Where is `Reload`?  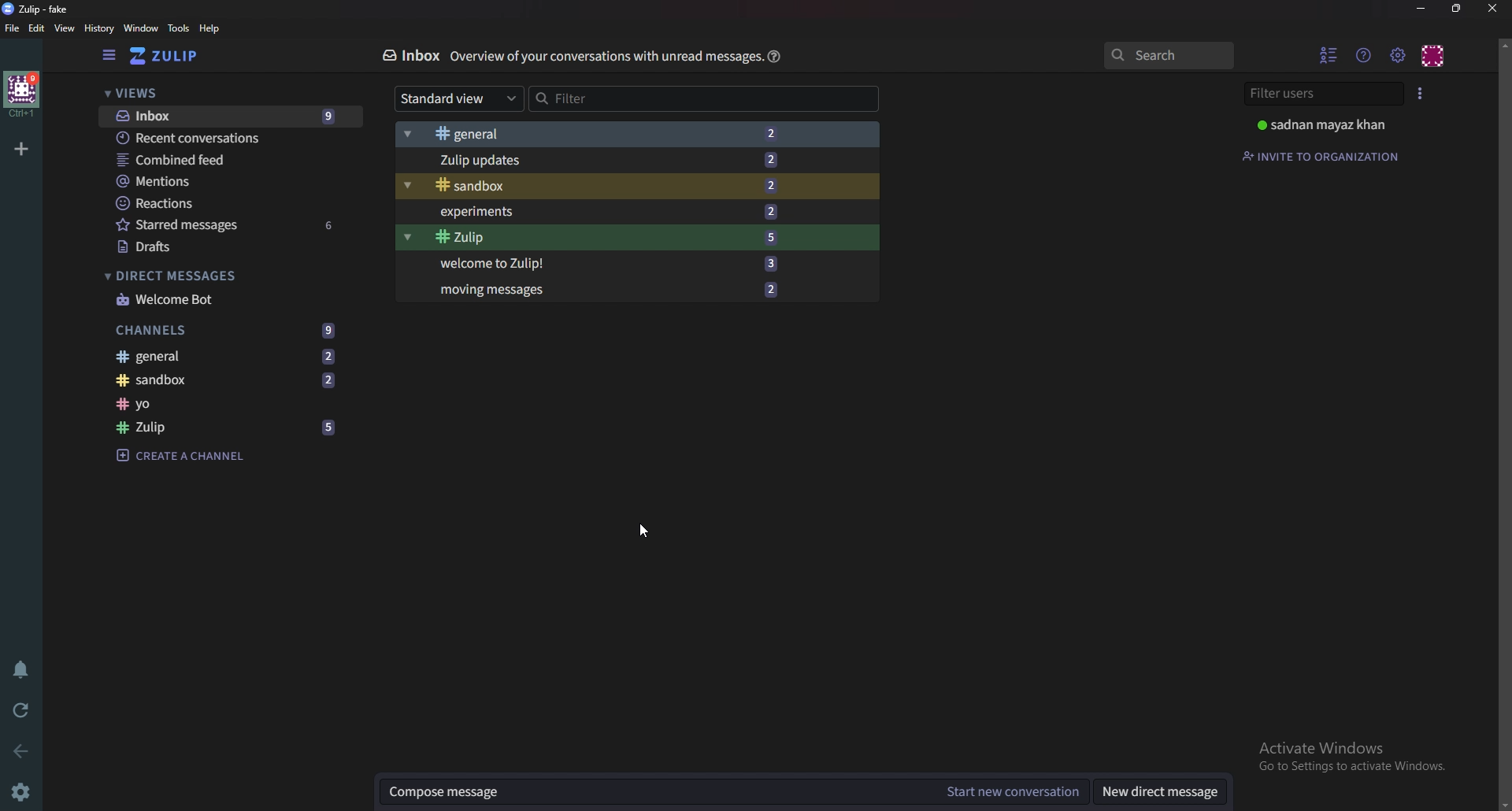
Reload is located at coordinates (22, 711).